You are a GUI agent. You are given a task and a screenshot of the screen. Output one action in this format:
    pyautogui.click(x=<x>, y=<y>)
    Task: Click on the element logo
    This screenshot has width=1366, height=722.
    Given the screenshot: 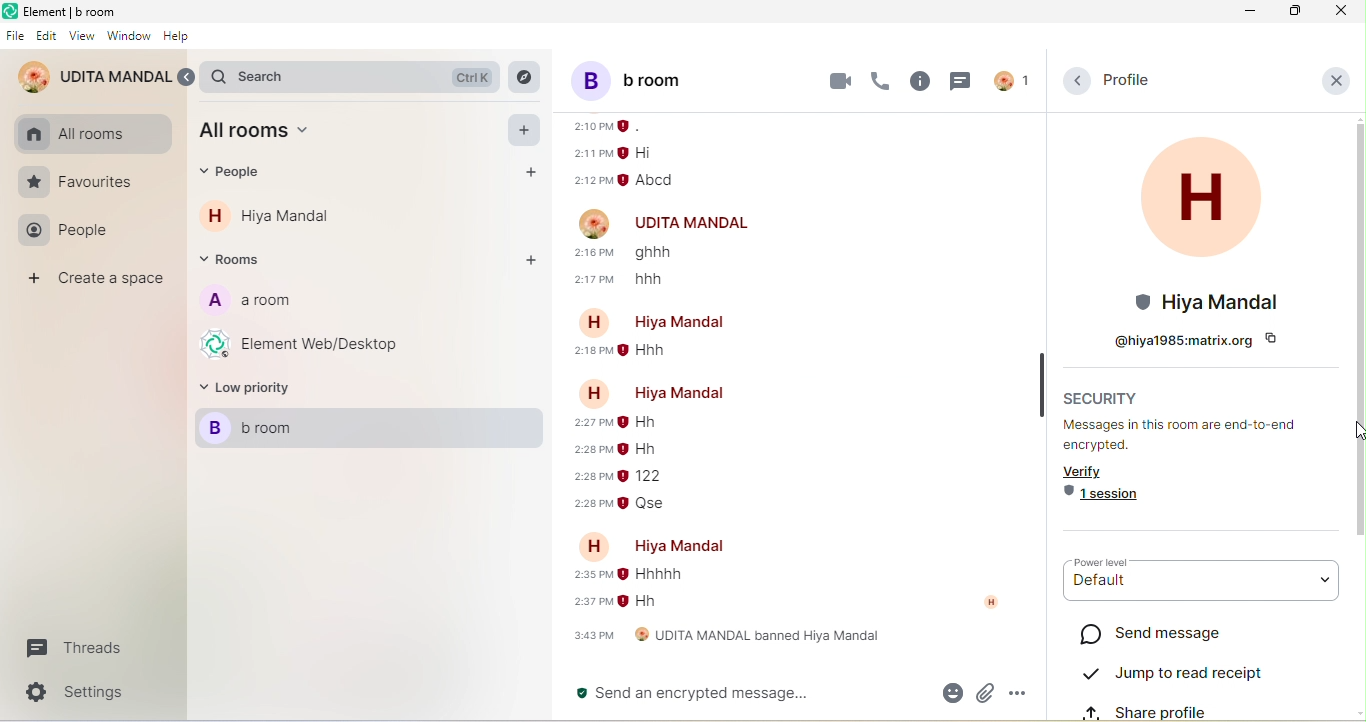 What is the action you would take?
    pyautogui.click(x=10, y=12)
    